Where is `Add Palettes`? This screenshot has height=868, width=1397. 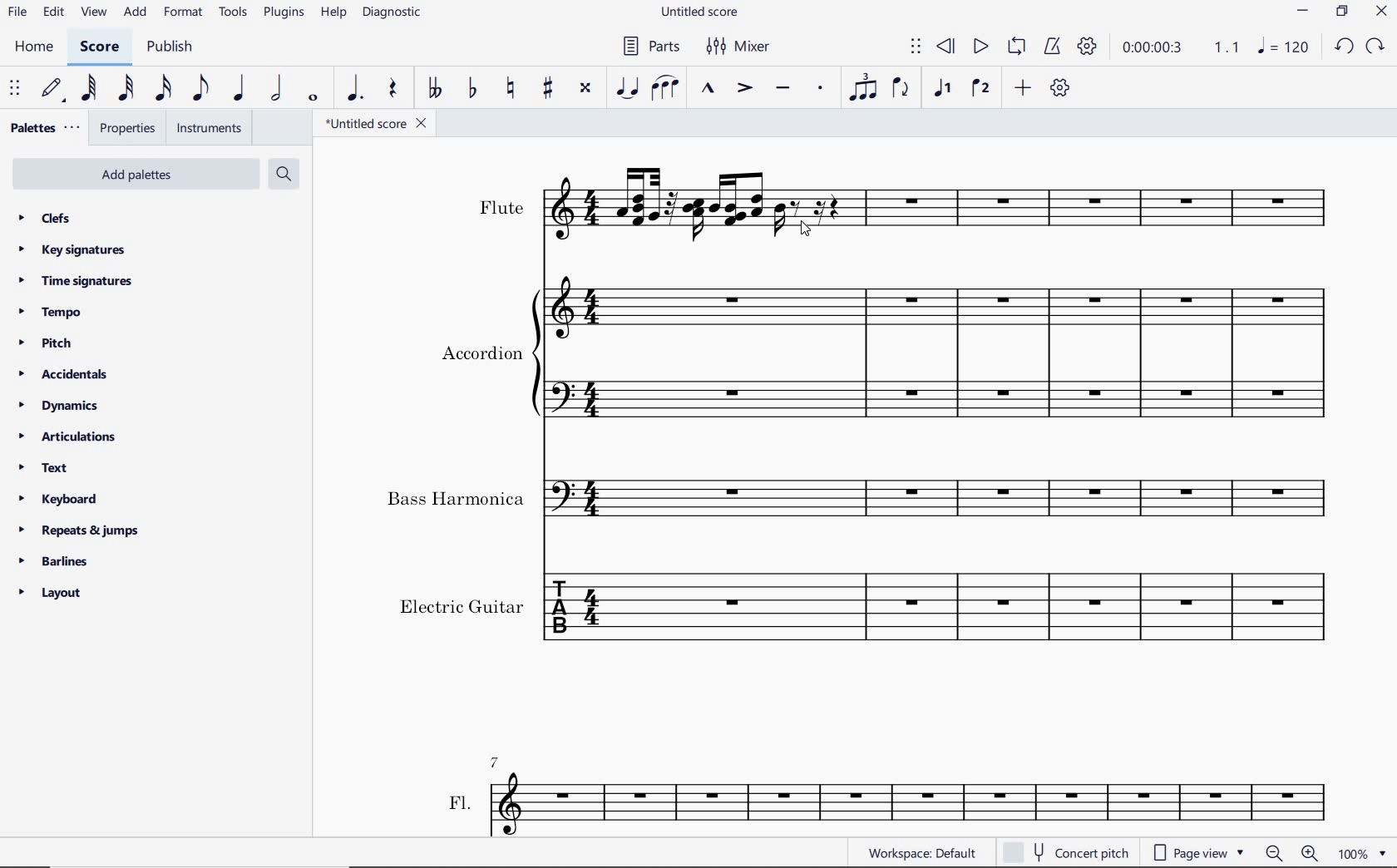 Add Palettes is located at coordinates (134, 175).